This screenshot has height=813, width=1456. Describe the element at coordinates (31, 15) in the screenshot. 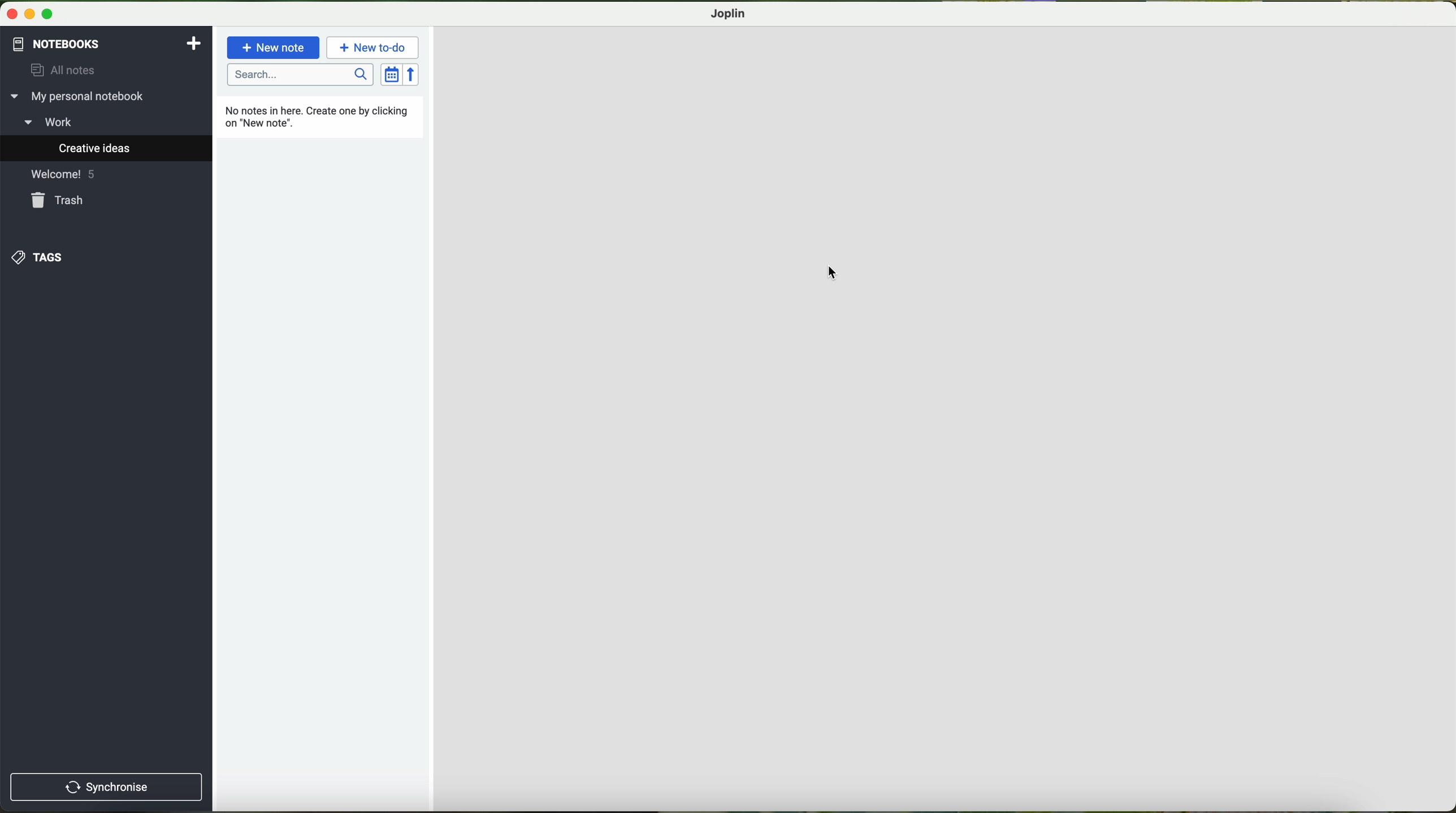

I see `minimize` at that location.